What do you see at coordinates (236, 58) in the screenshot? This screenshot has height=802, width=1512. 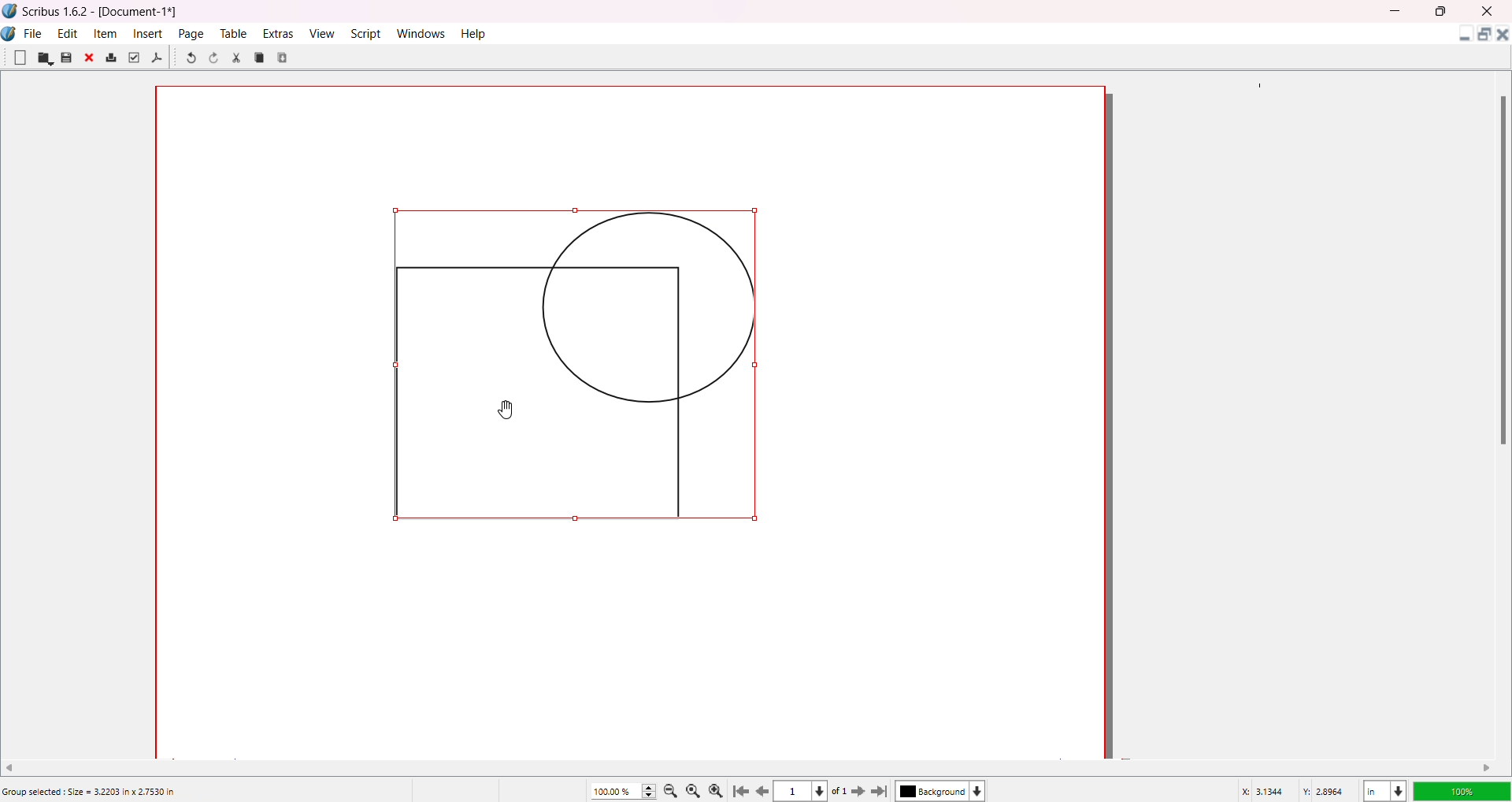 I see `Cut` at bounding box center [236, 58].